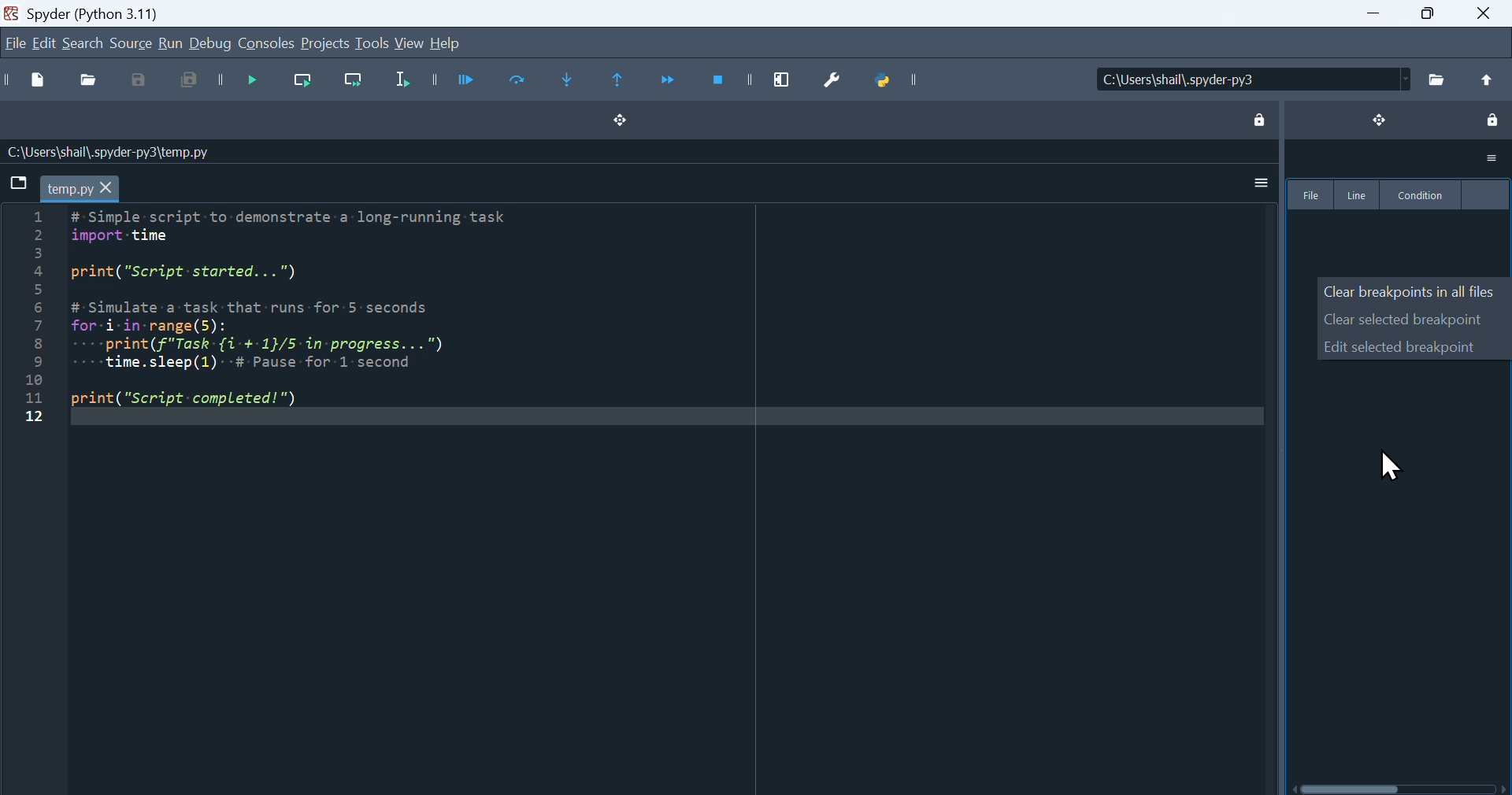 This screenshot has width=1512, height=795. What do you see at coordinates (1436, 79) in the screenshot?
I see `browse a working directory` at bounding box center [1436, 79].